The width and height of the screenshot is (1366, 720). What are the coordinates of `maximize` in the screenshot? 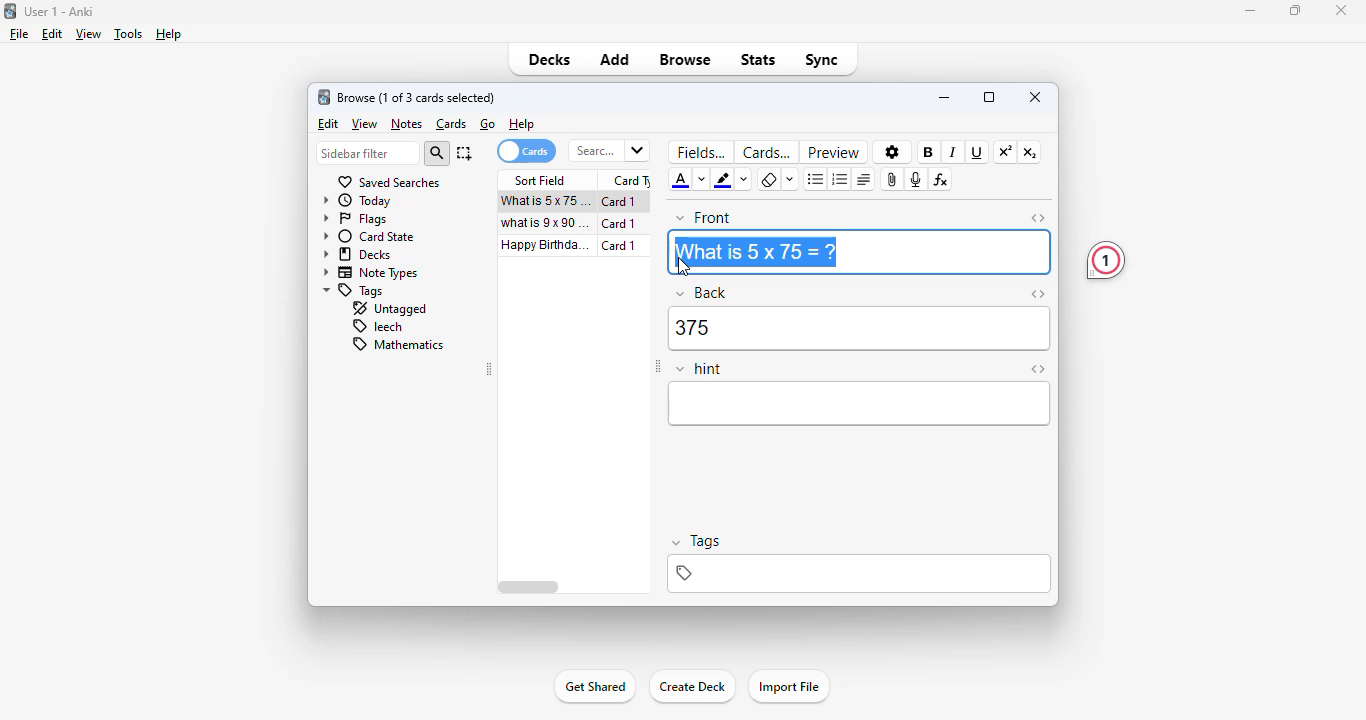 It's located at (989, 98).